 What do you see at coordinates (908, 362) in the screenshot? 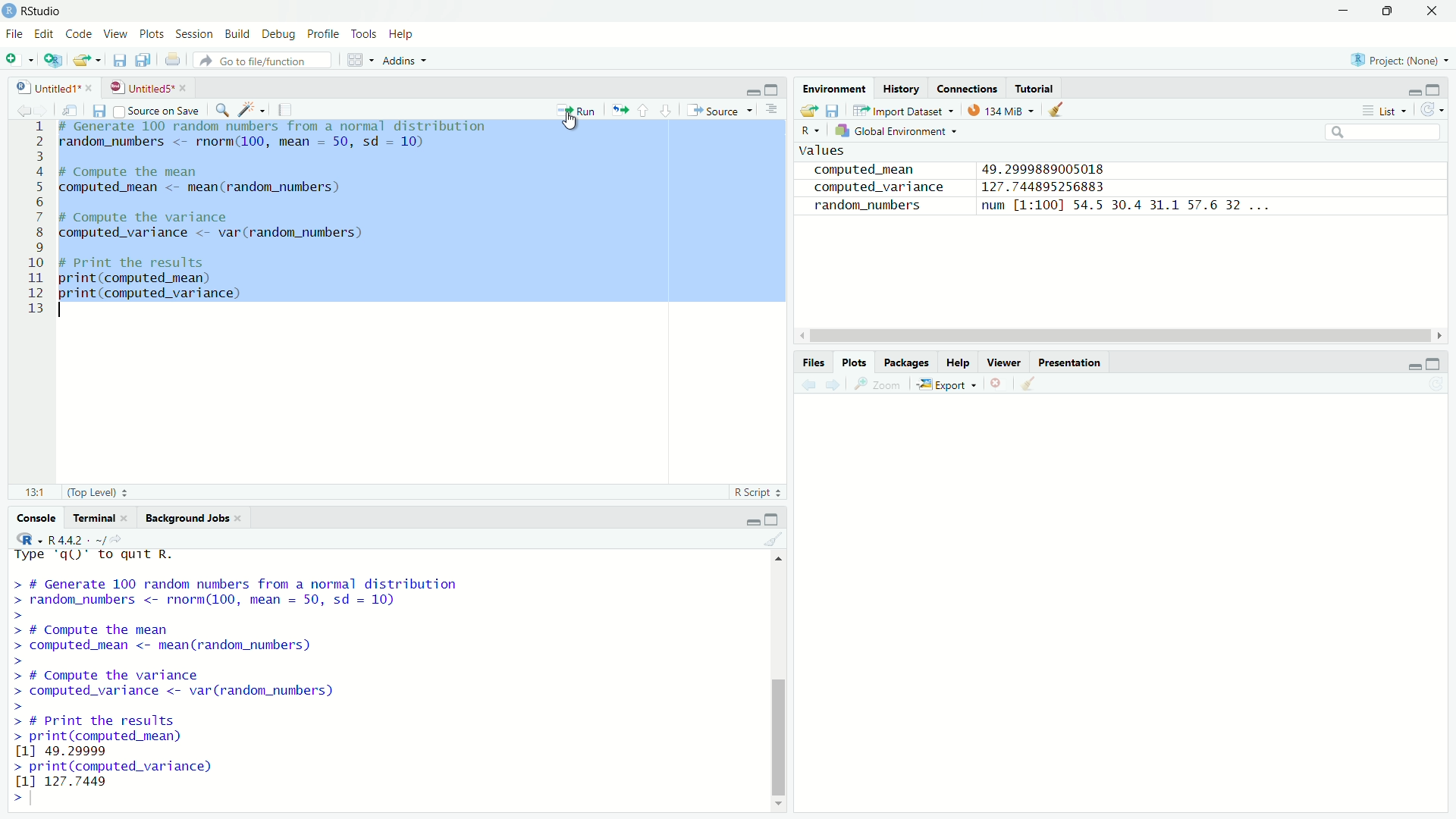
I see `packages` at bounding box center [908, 362].